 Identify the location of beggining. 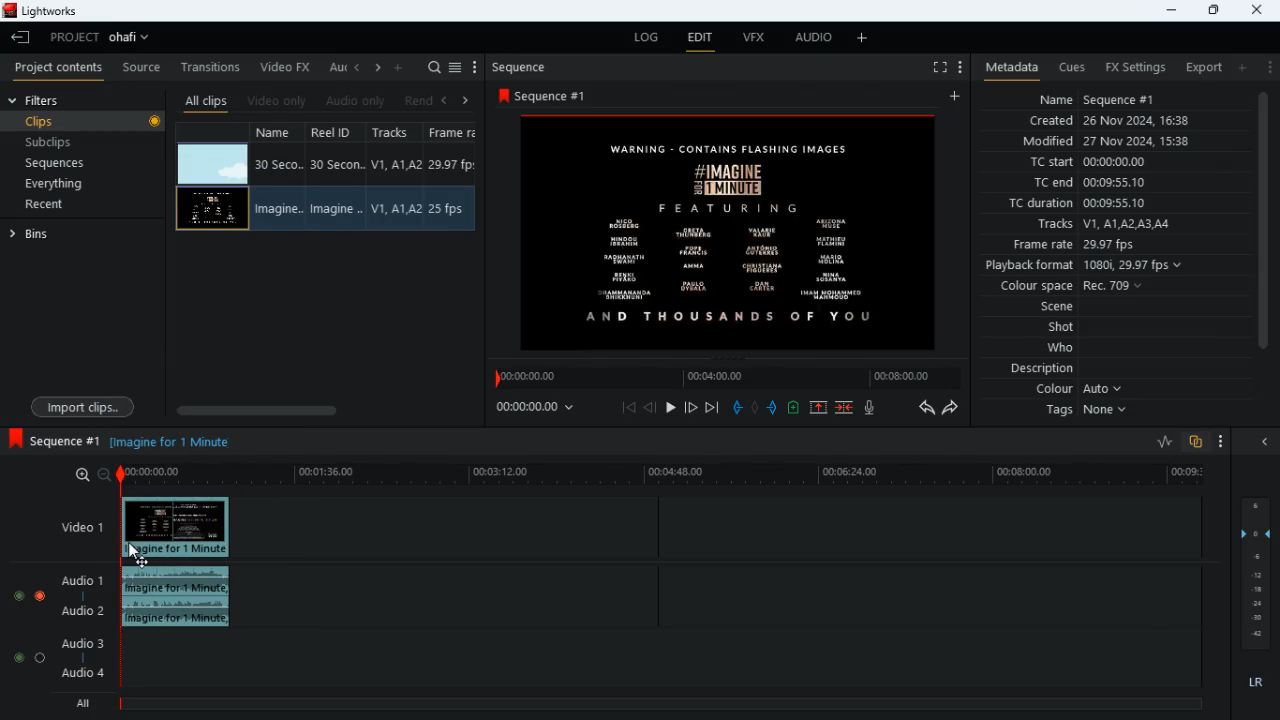
(628, 408).